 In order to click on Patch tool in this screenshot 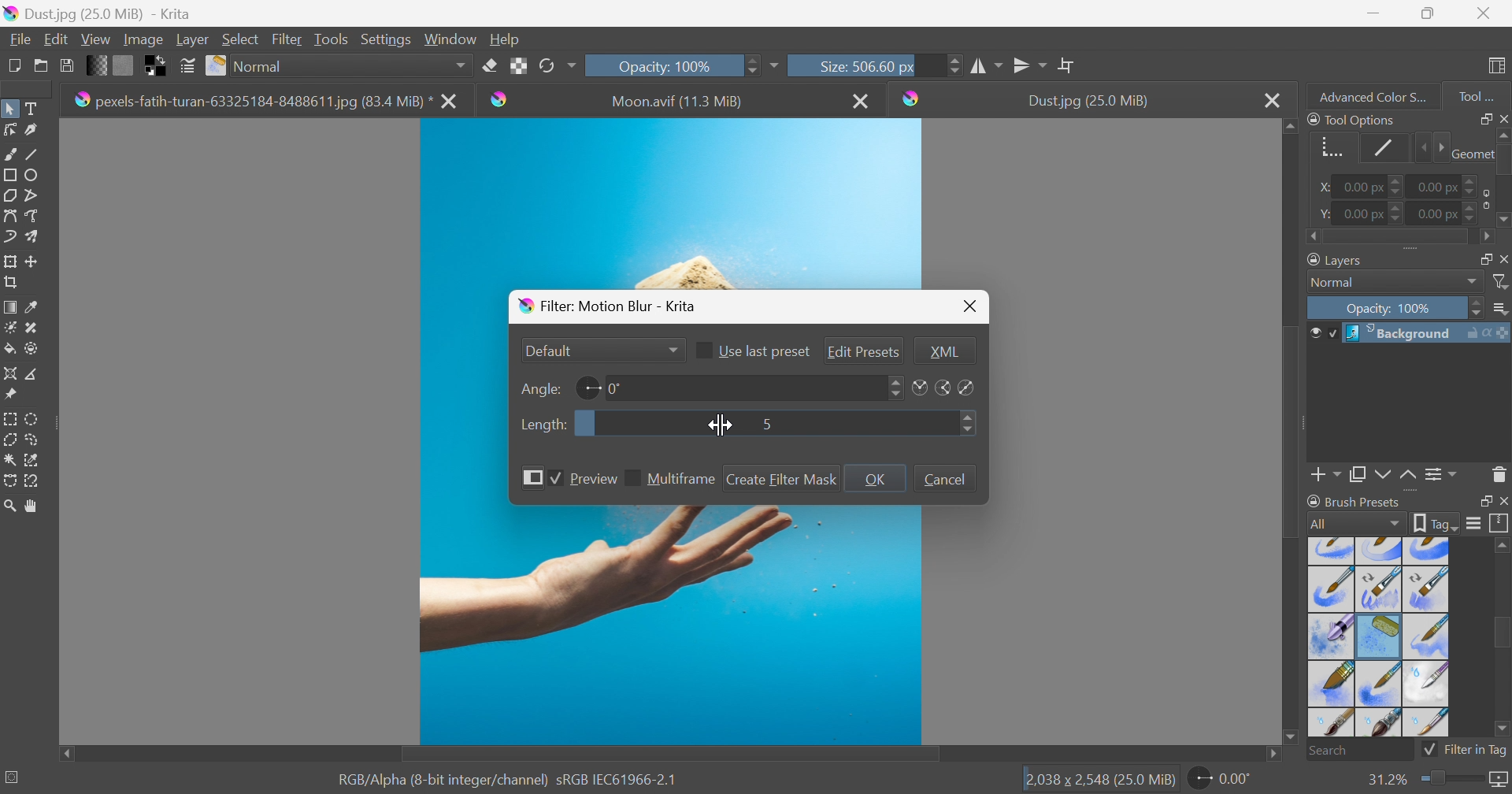, I will do `click(29, 328)`.